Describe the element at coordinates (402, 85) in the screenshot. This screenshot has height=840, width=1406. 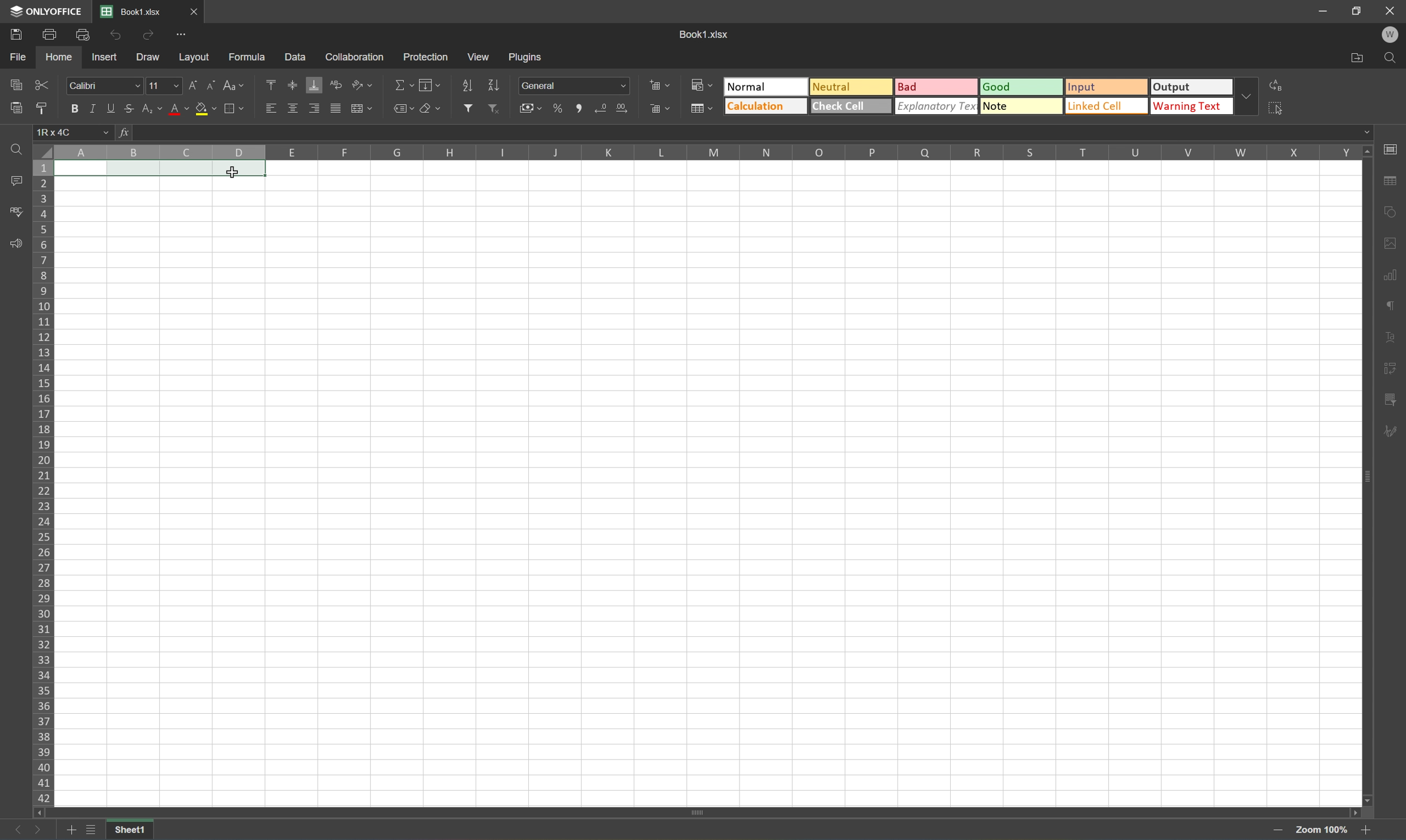
I see `Summation` at that location.